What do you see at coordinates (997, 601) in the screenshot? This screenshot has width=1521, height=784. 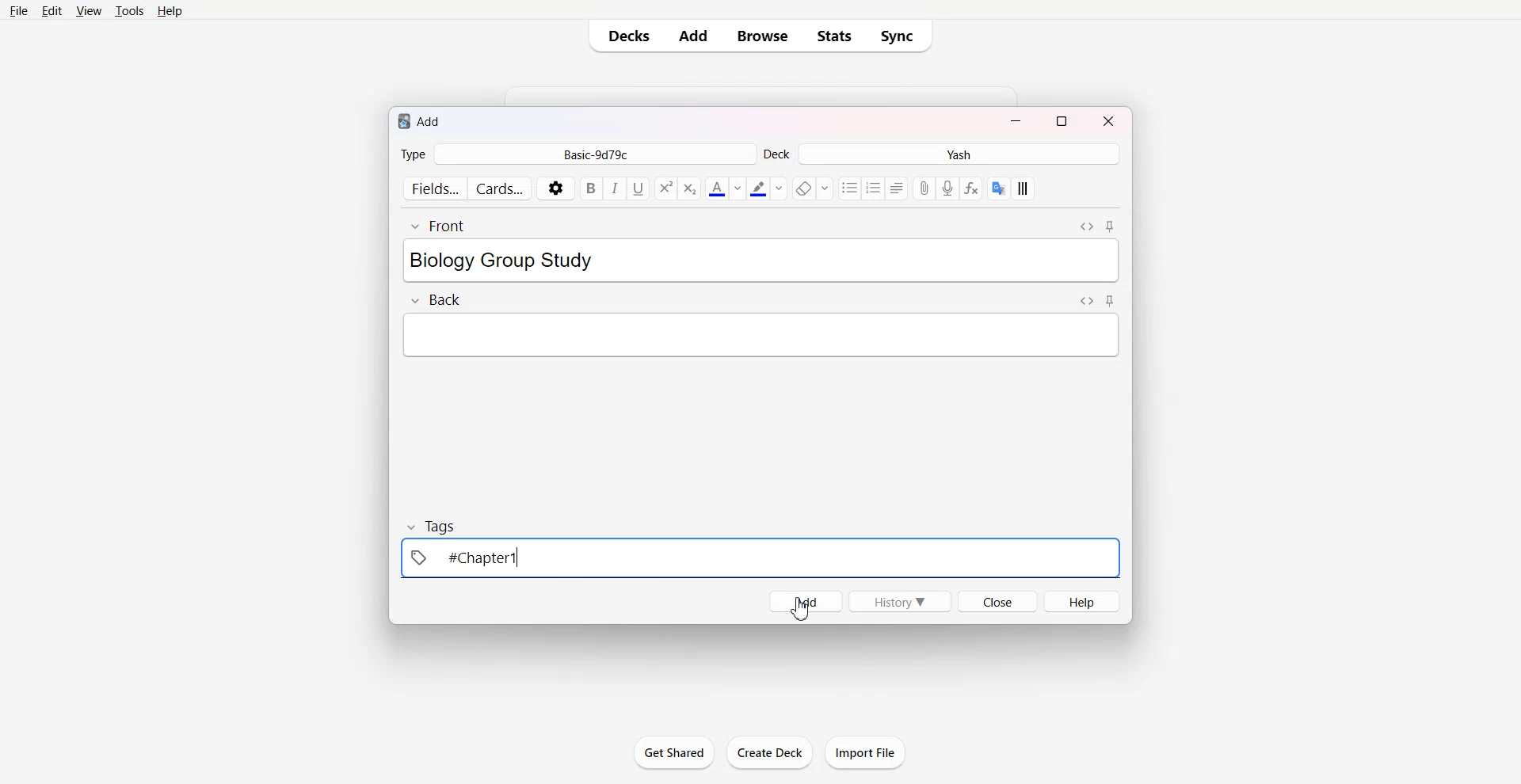 I see `Close` at bounding box center [997, 601].